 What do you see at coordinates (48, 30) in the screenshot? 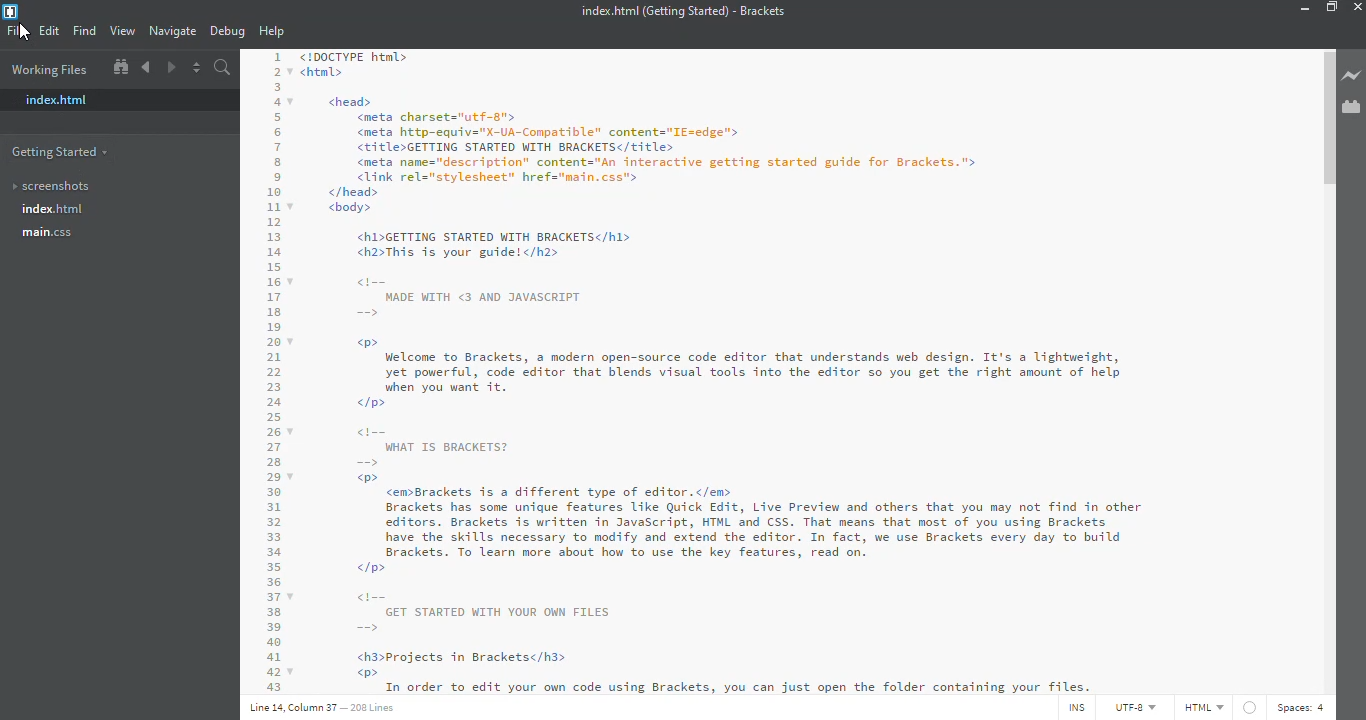
I see `edit` at bounding box center [48, 30].